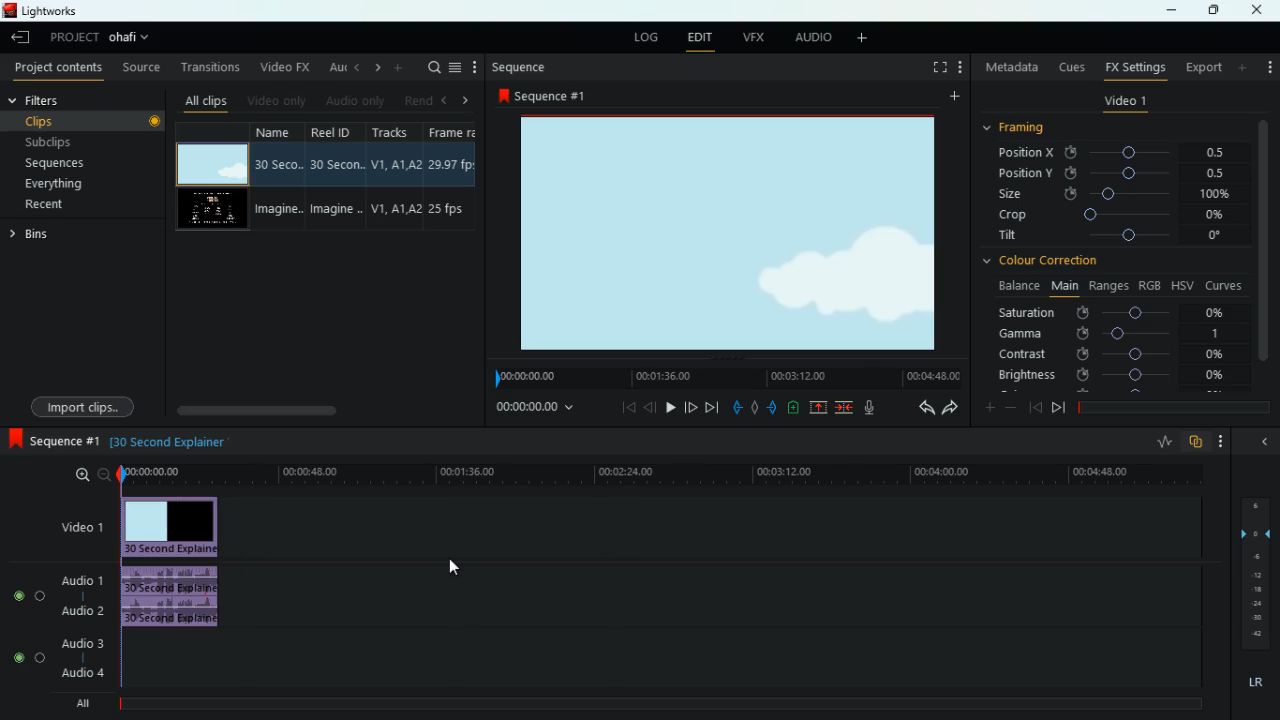 The height and width of the screenshot is (720, 1280). What do you see at coordinates (82, 407) in the screenshot?
I see `import clips` at bounding box center [82, 407].